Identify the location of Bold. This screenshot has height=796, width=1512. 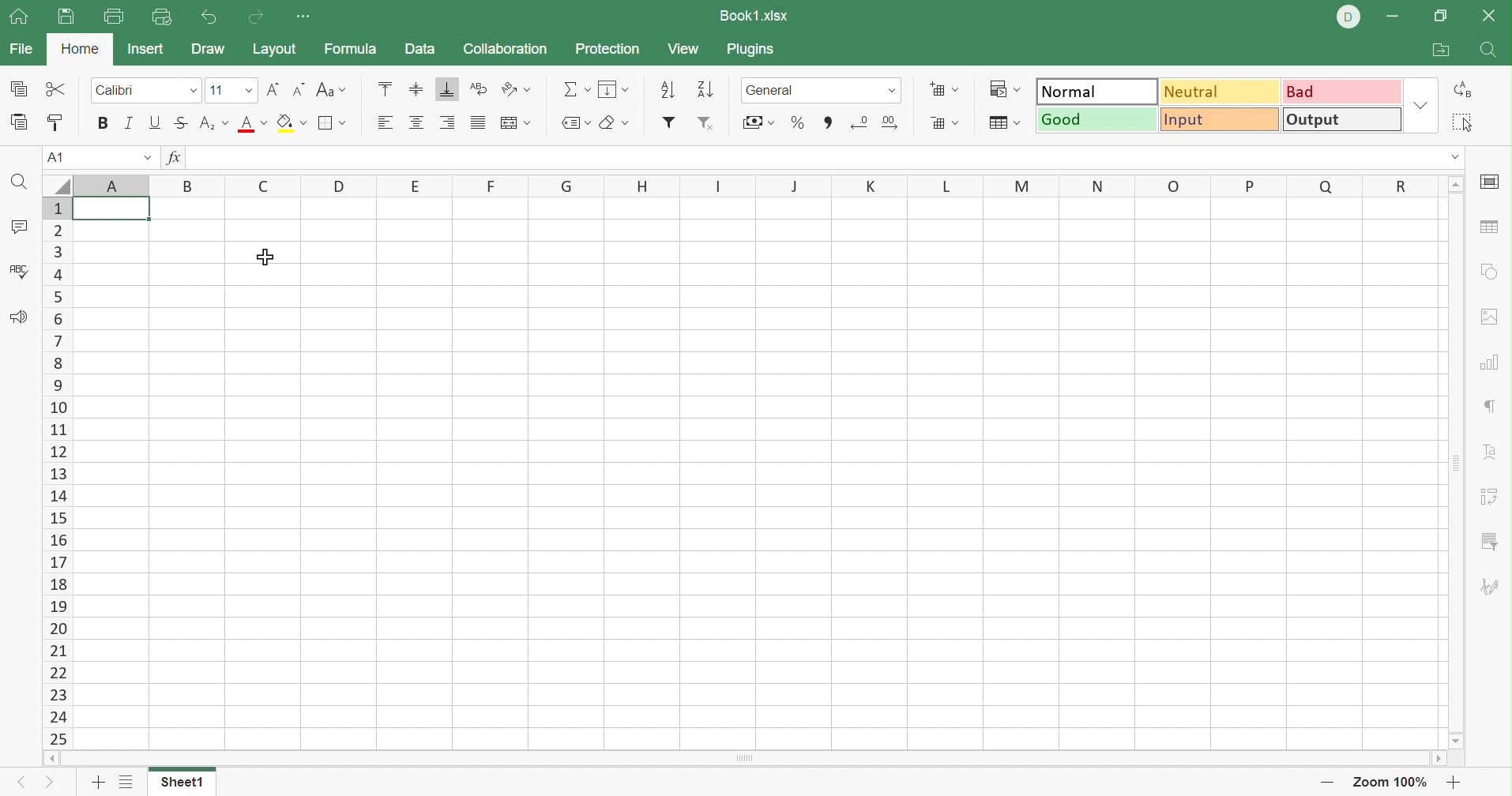
(103, 123).